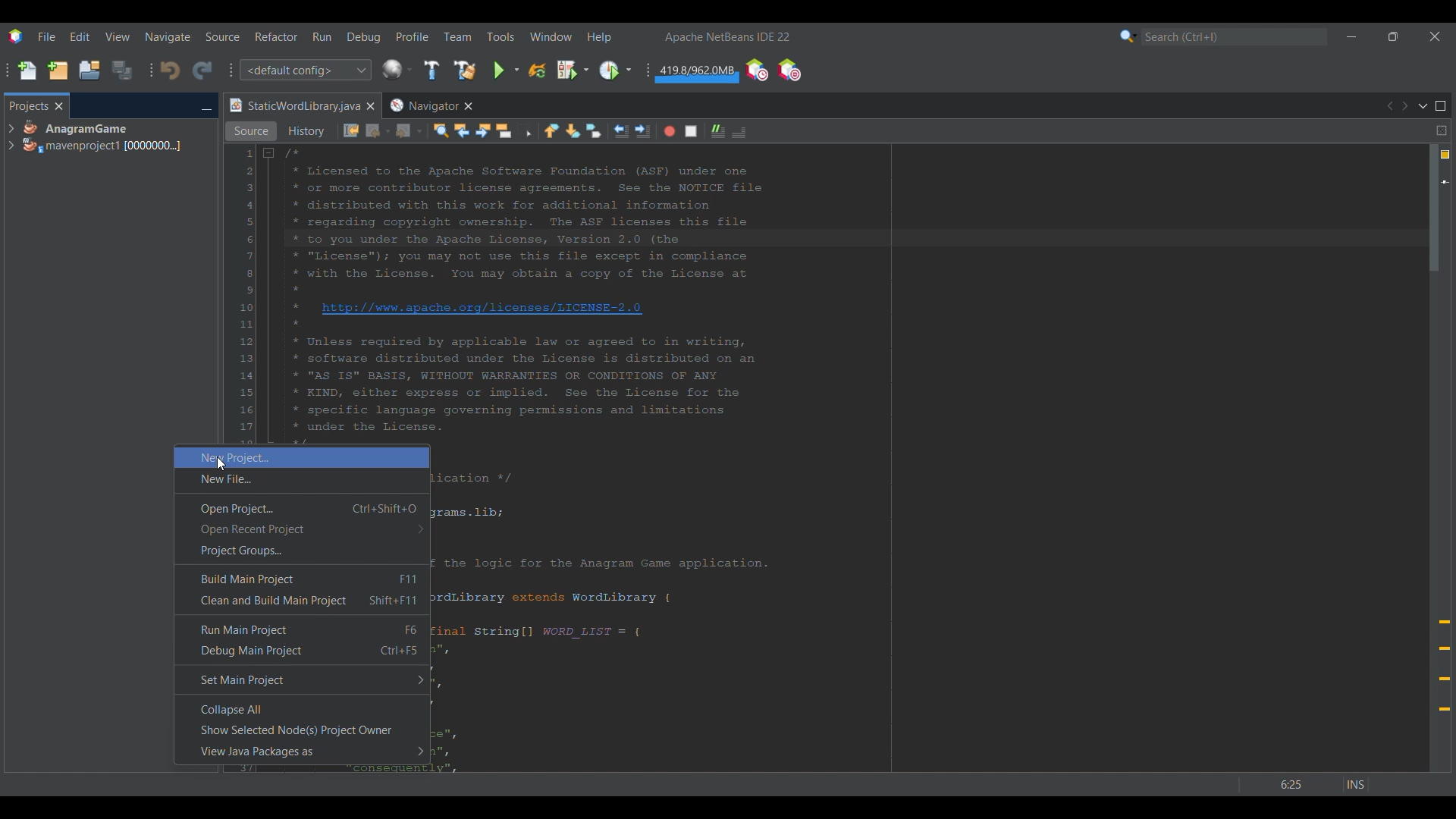 Image resolution: width=1456 pixels, height=819 pixels. Describe the element at coordinates (218, 466) in the screenshot. I see `` at that location.